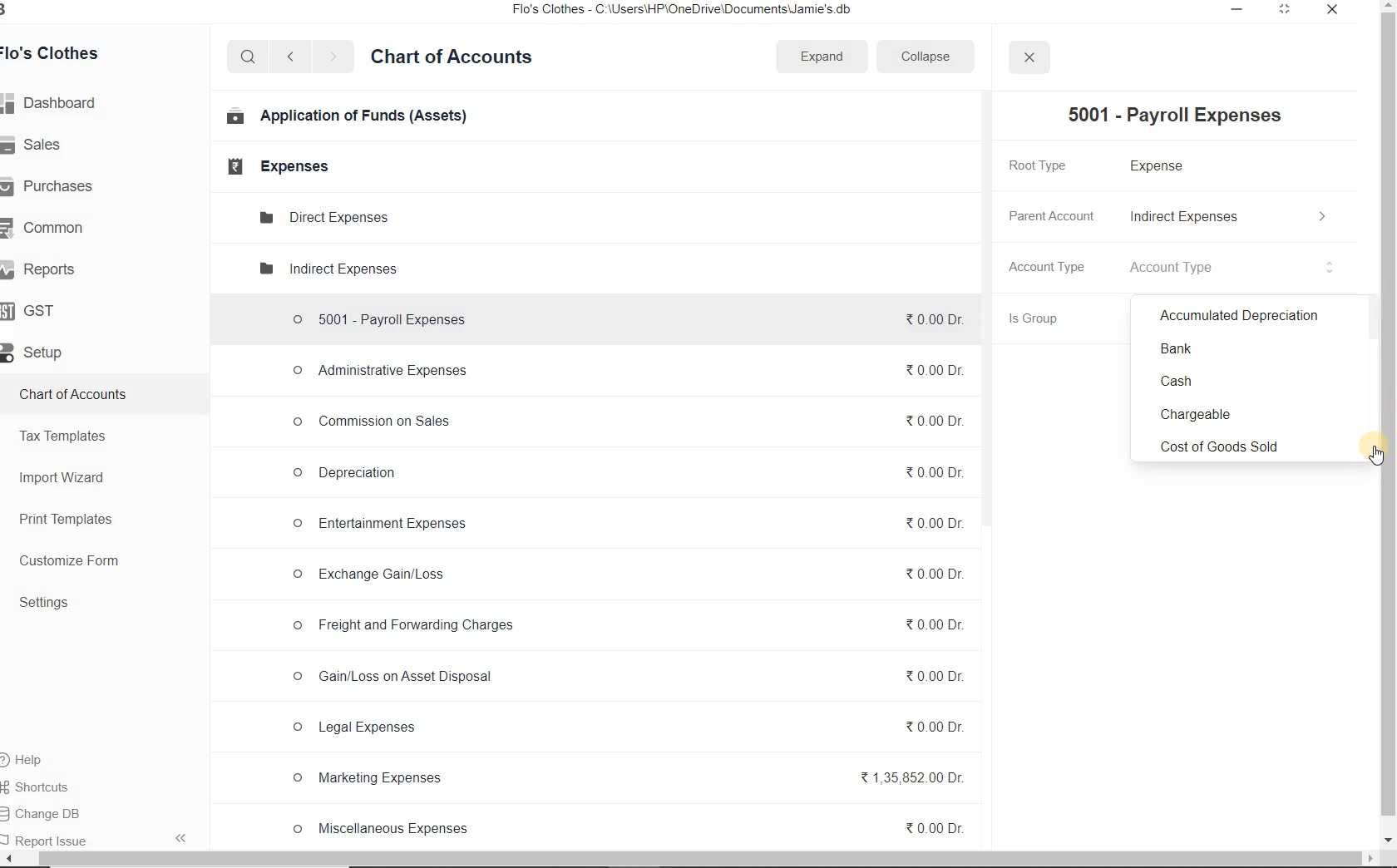  I want to click on move right, so click(1369, 860).